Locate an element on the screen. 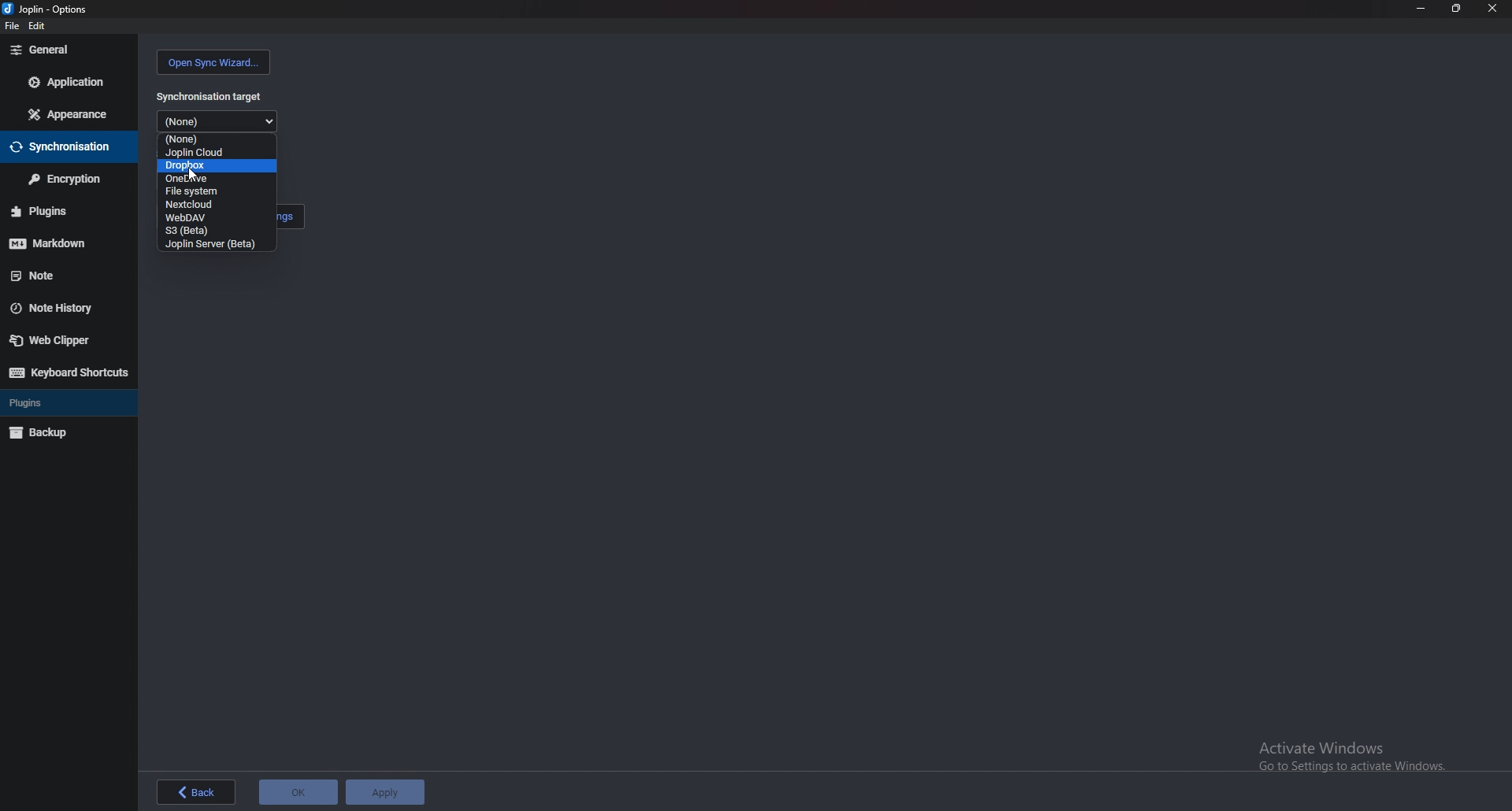 Image resolution: width=1512 pixels, height=811 pixels. file system is located at coordinates (208, 191).